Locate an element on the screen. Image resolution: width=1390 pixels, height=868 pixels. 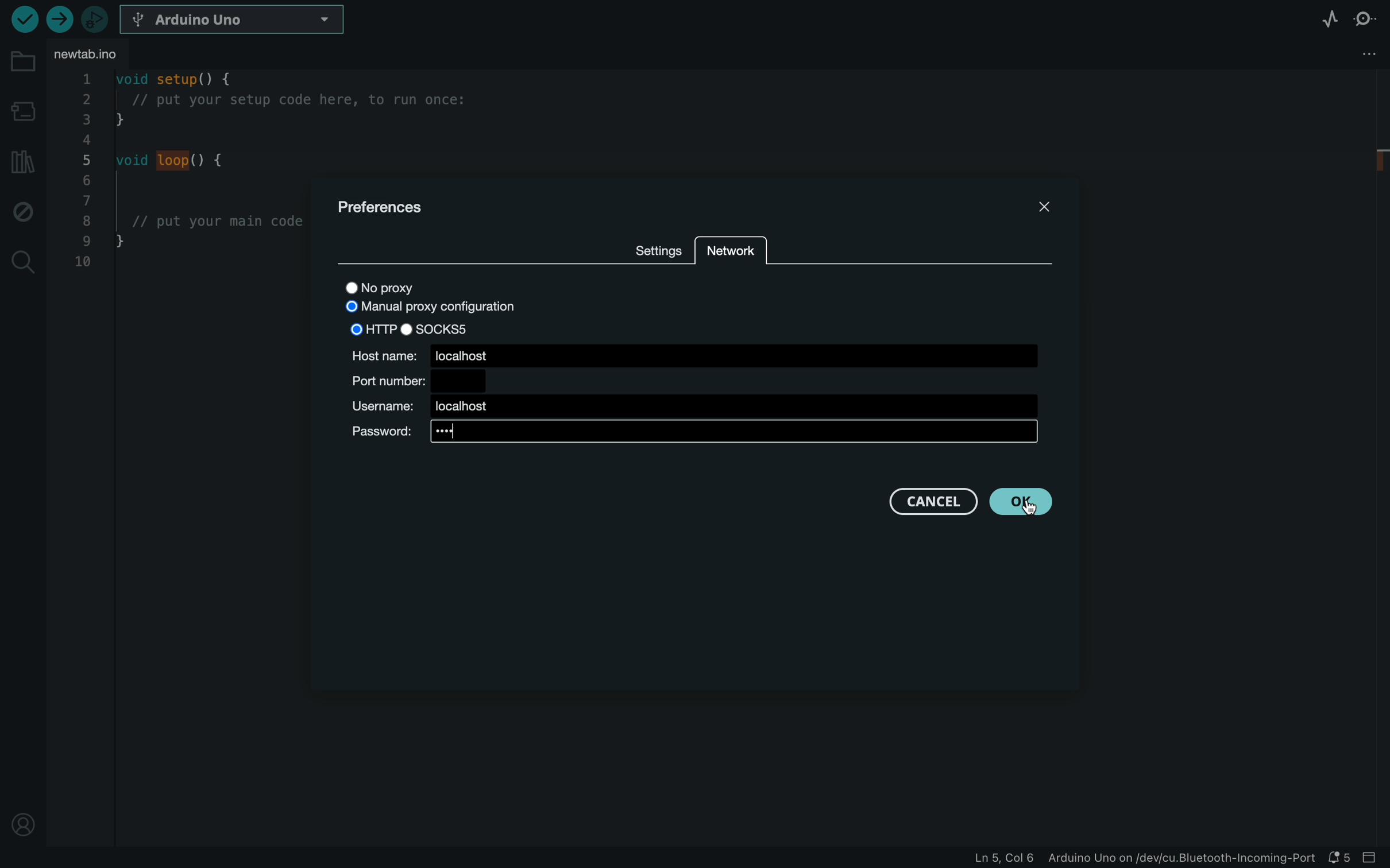
port number is located at coordinates (415, 379).